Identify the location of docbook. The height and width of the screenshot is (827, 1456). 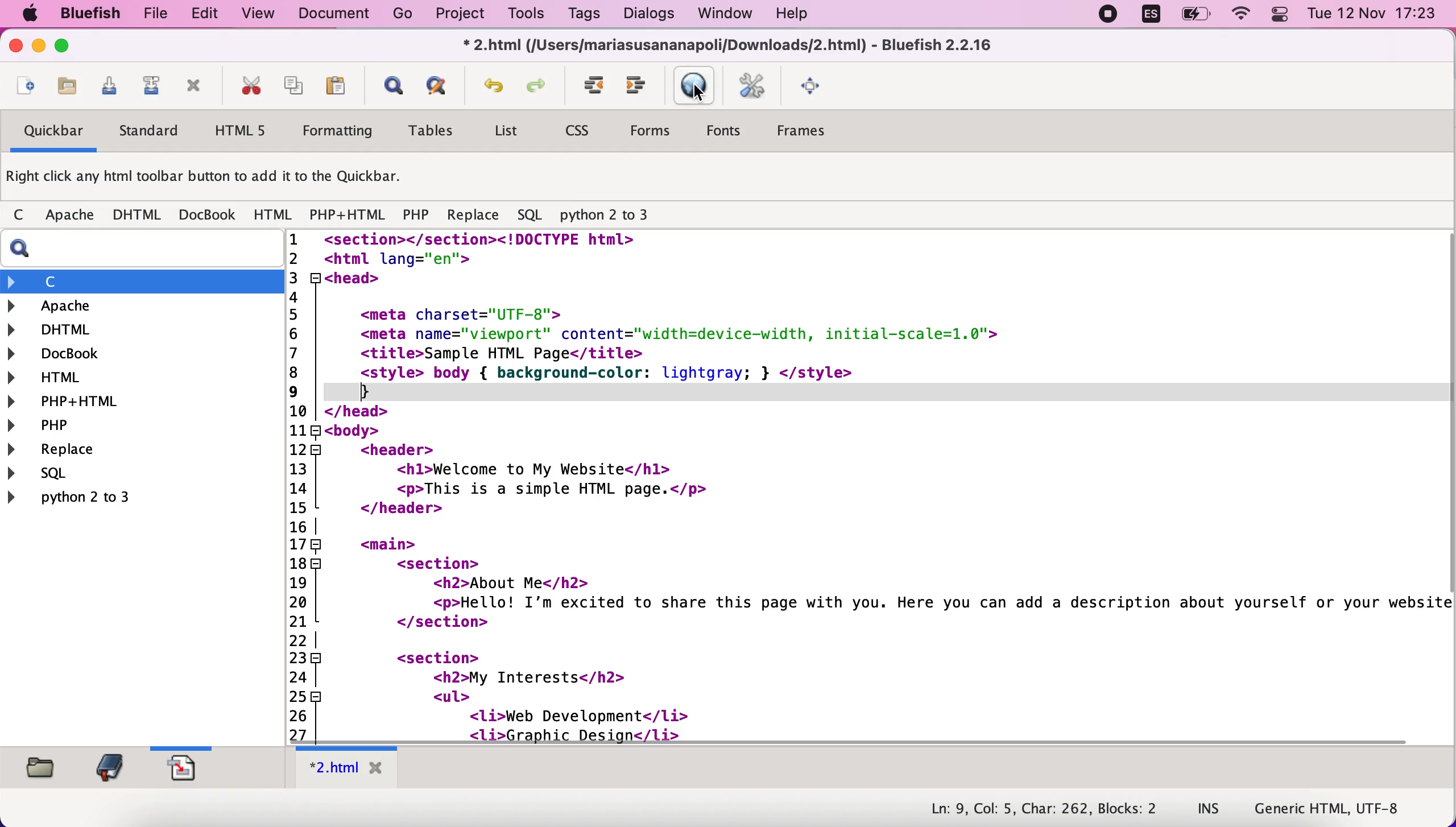
(209, 214).